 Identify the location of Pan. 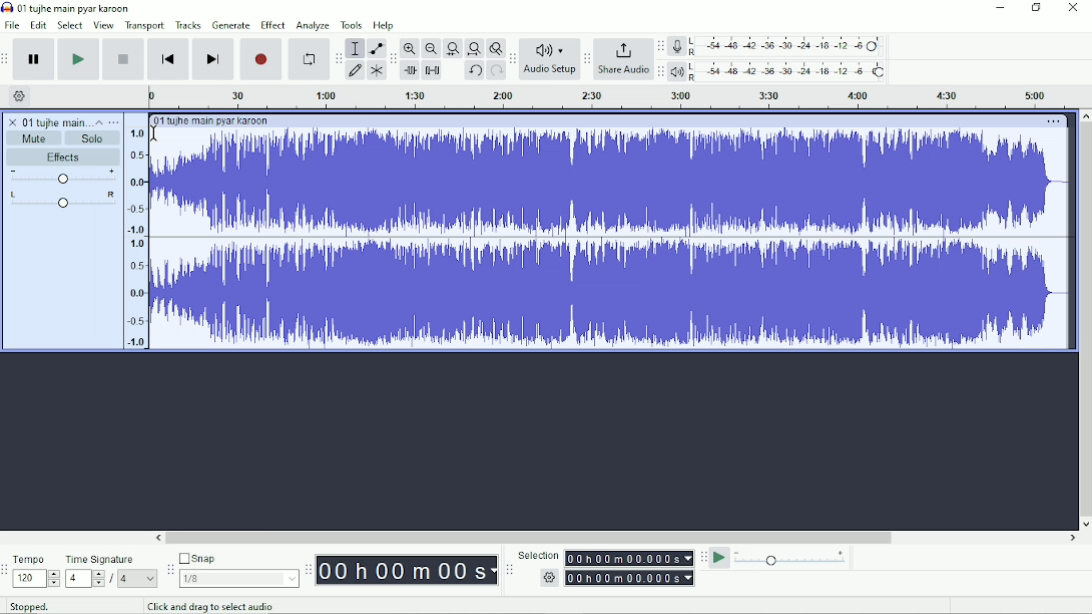
(63, 200).